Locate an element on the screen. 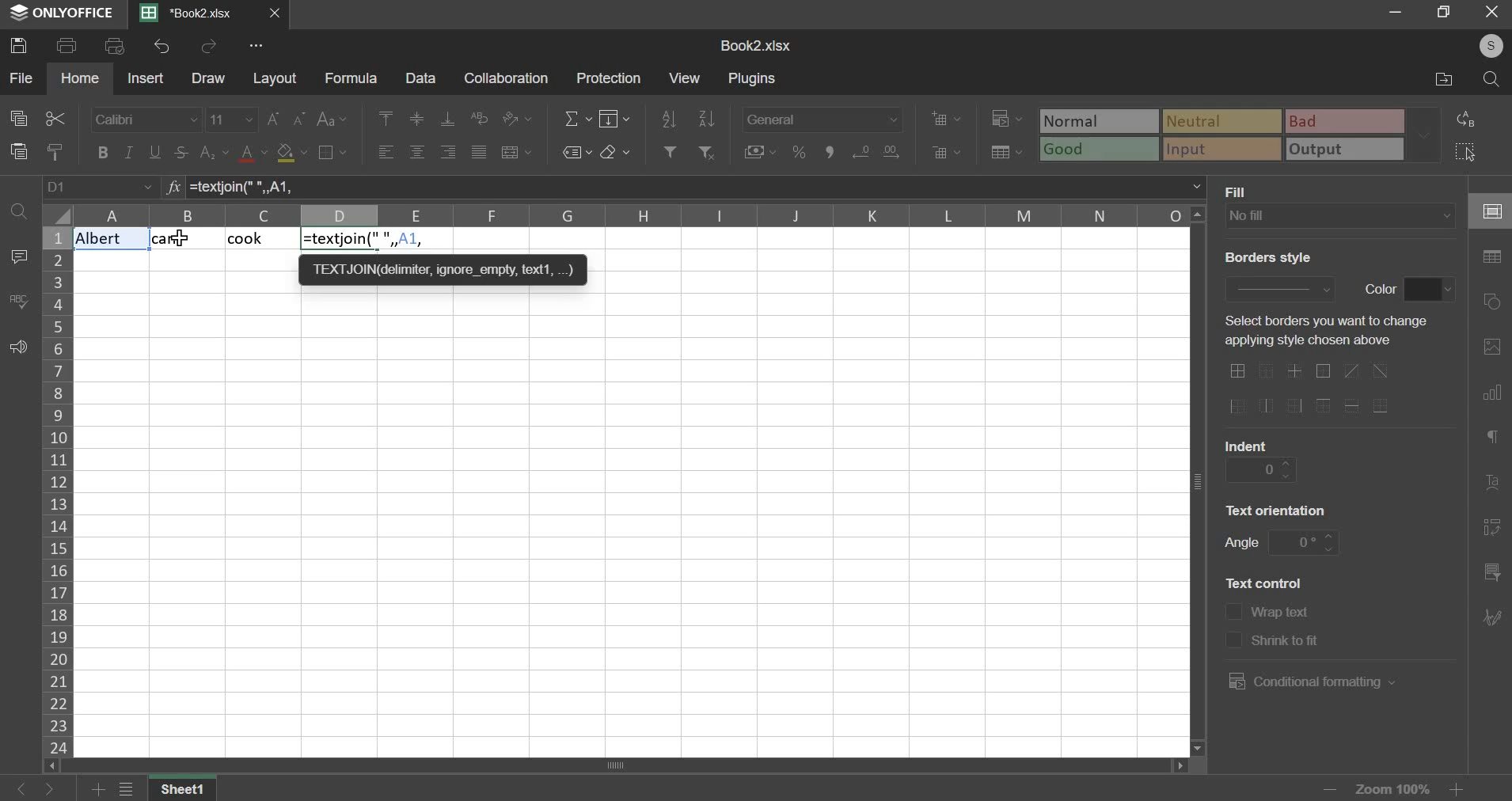  align center is located at coordinates (417, 153).